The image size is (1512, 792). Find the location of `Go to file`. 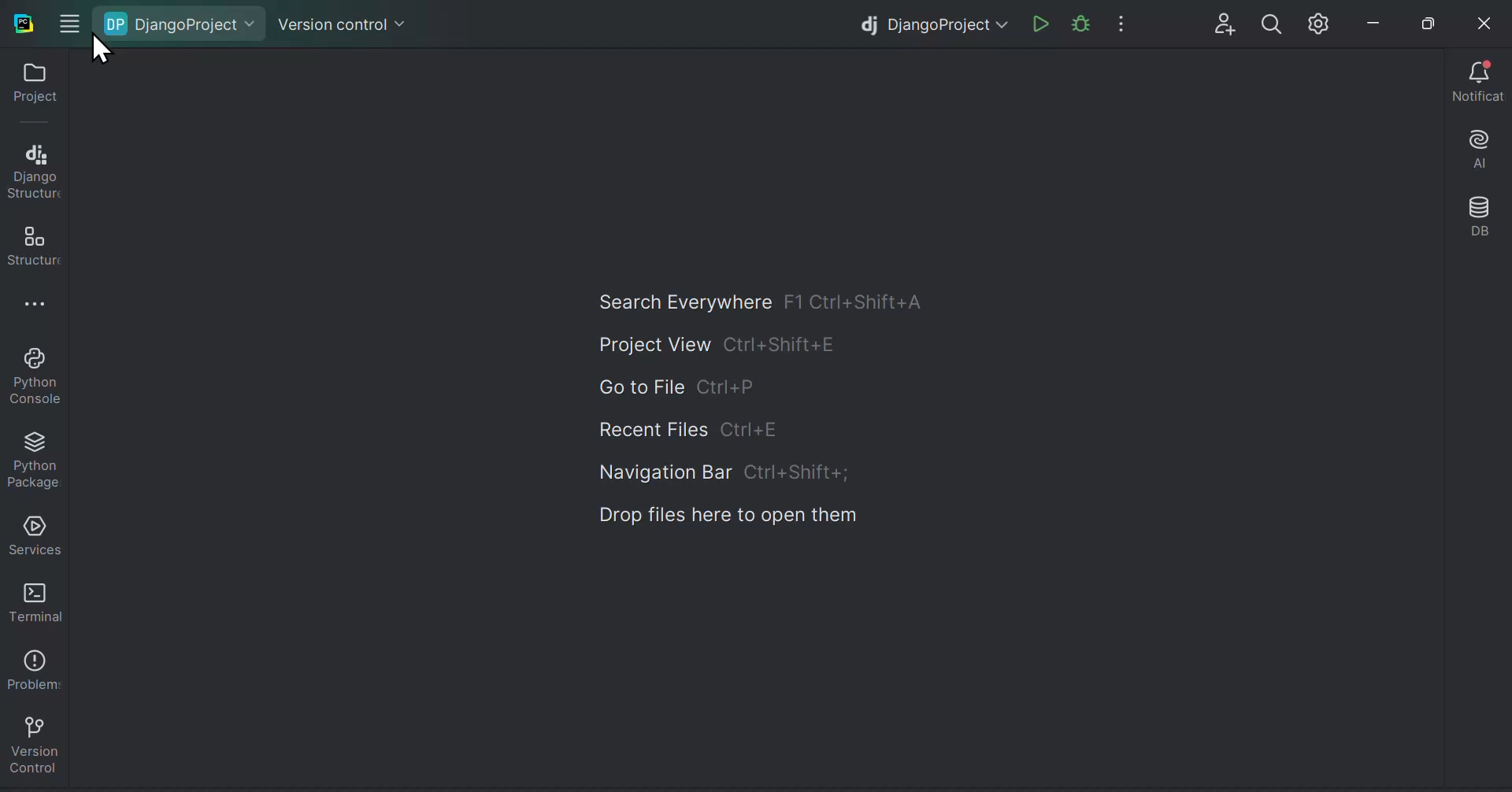

Go to file is located at coordinates (687, 384).